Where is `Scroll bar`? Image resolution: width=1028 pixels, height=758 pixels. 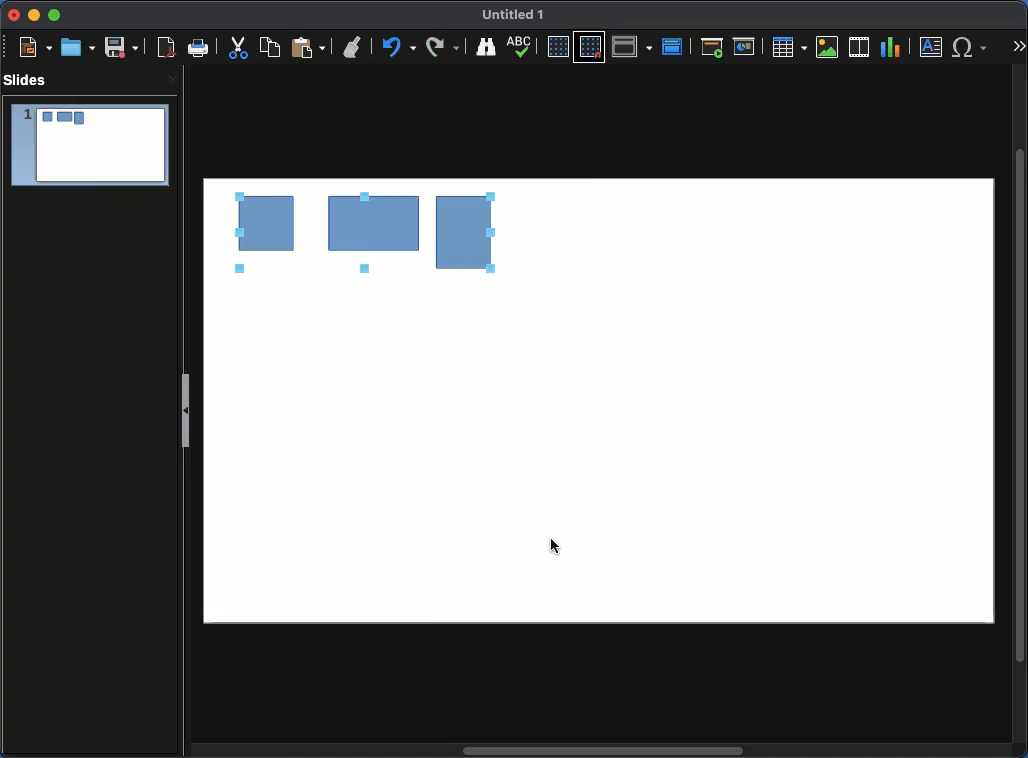 Scroll bar is located at coordinates (605, 752).